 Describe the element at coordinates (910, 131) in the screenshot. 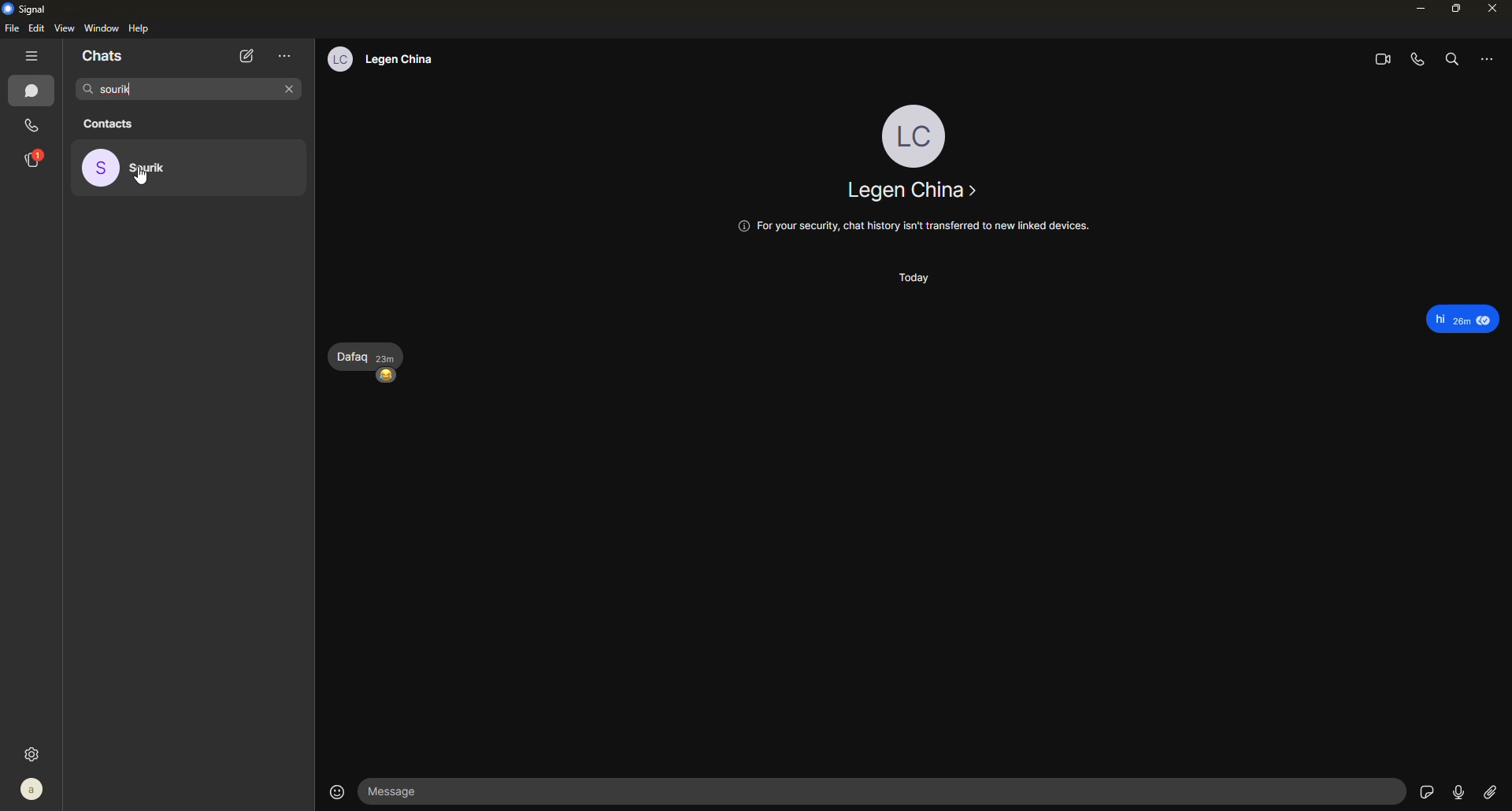

I see `profile - lc` at that location.